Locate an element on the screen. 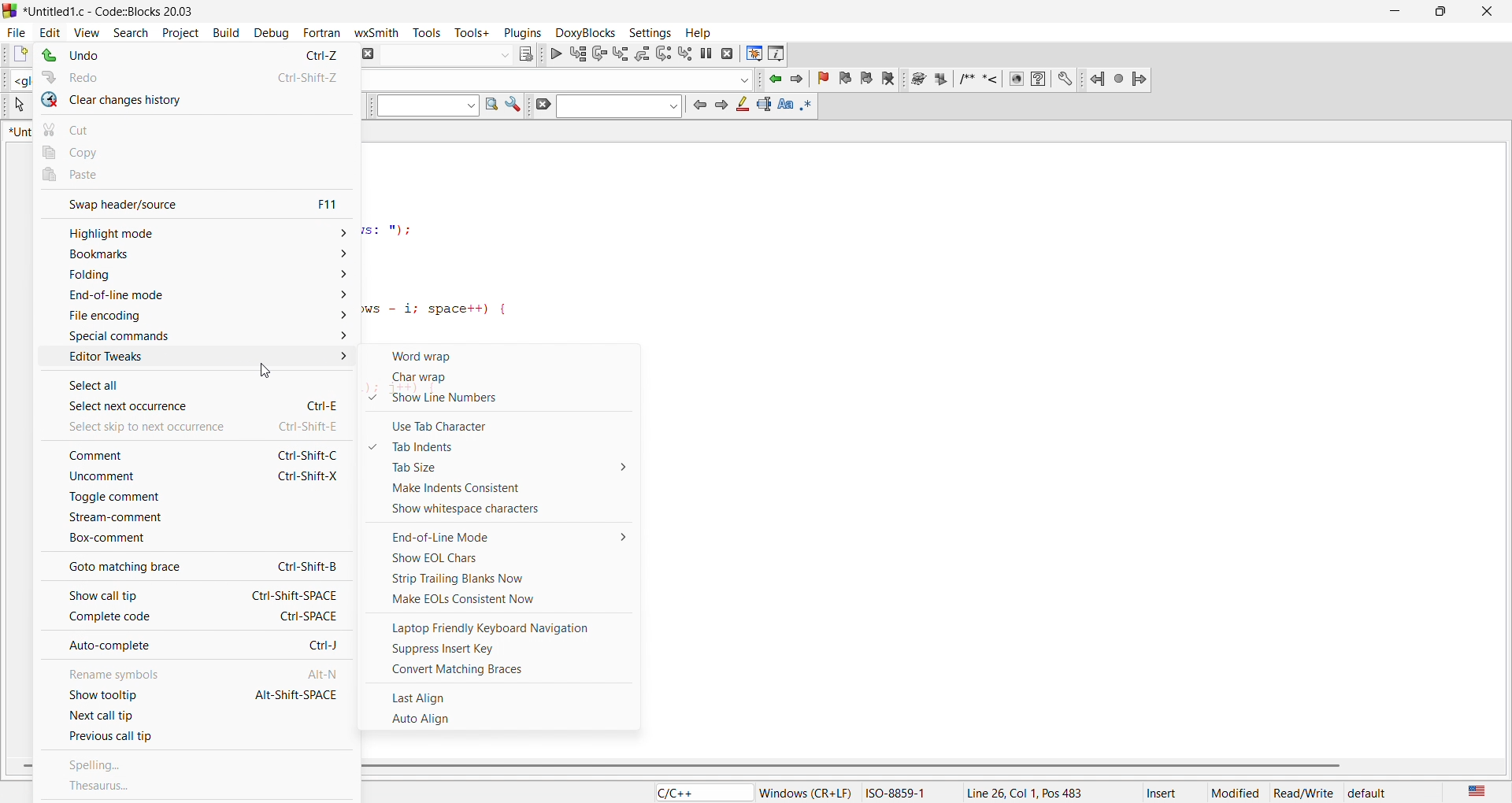  debugging icon is located at coordinates (643, 52).